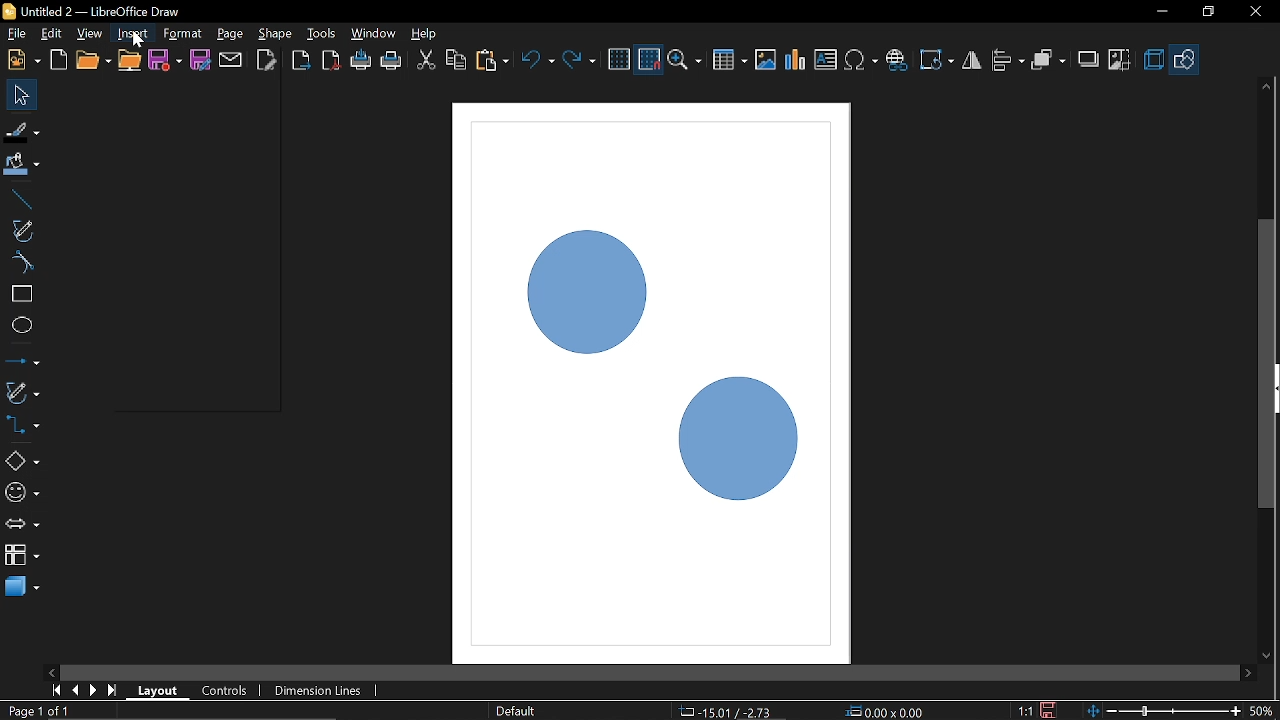 The width and height of the screenshot is (1280, 720). Describe the element at coordinates (22, 552) in the screenshot. I see `Flowchart` at that location.